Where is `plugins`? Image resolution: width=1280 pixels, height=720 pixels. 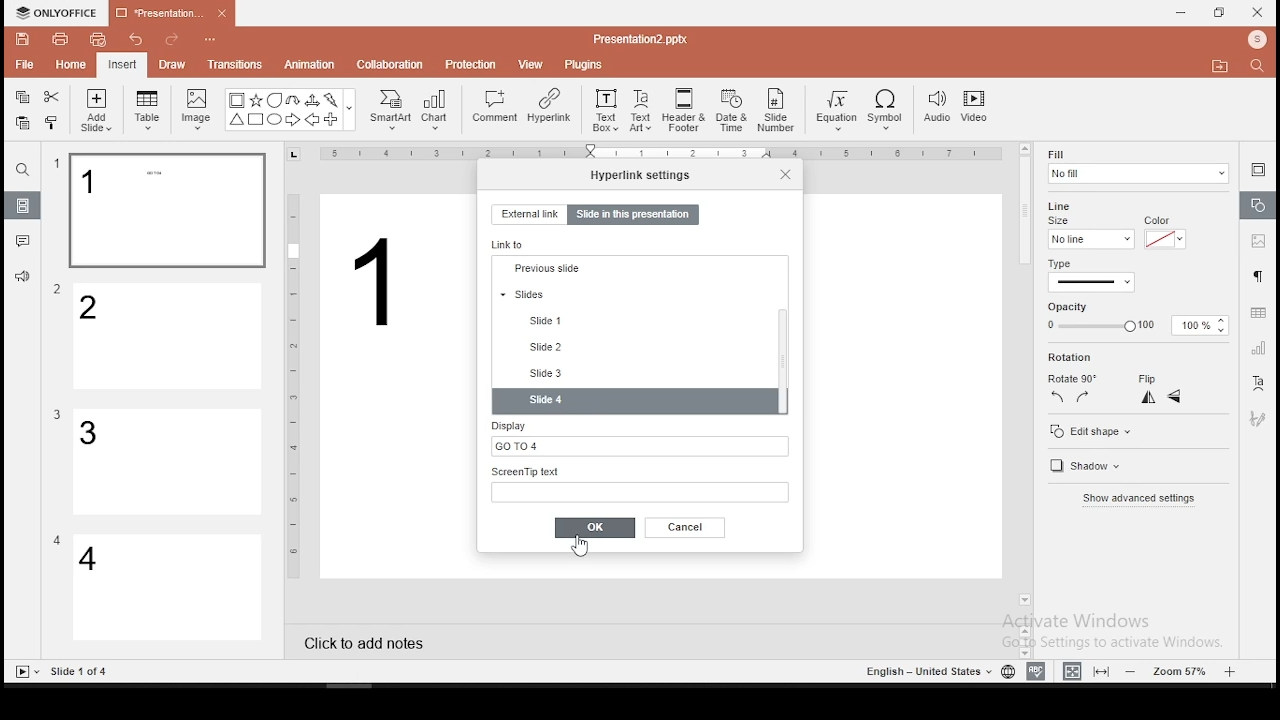 plugins is located at coordinates (585, 61).